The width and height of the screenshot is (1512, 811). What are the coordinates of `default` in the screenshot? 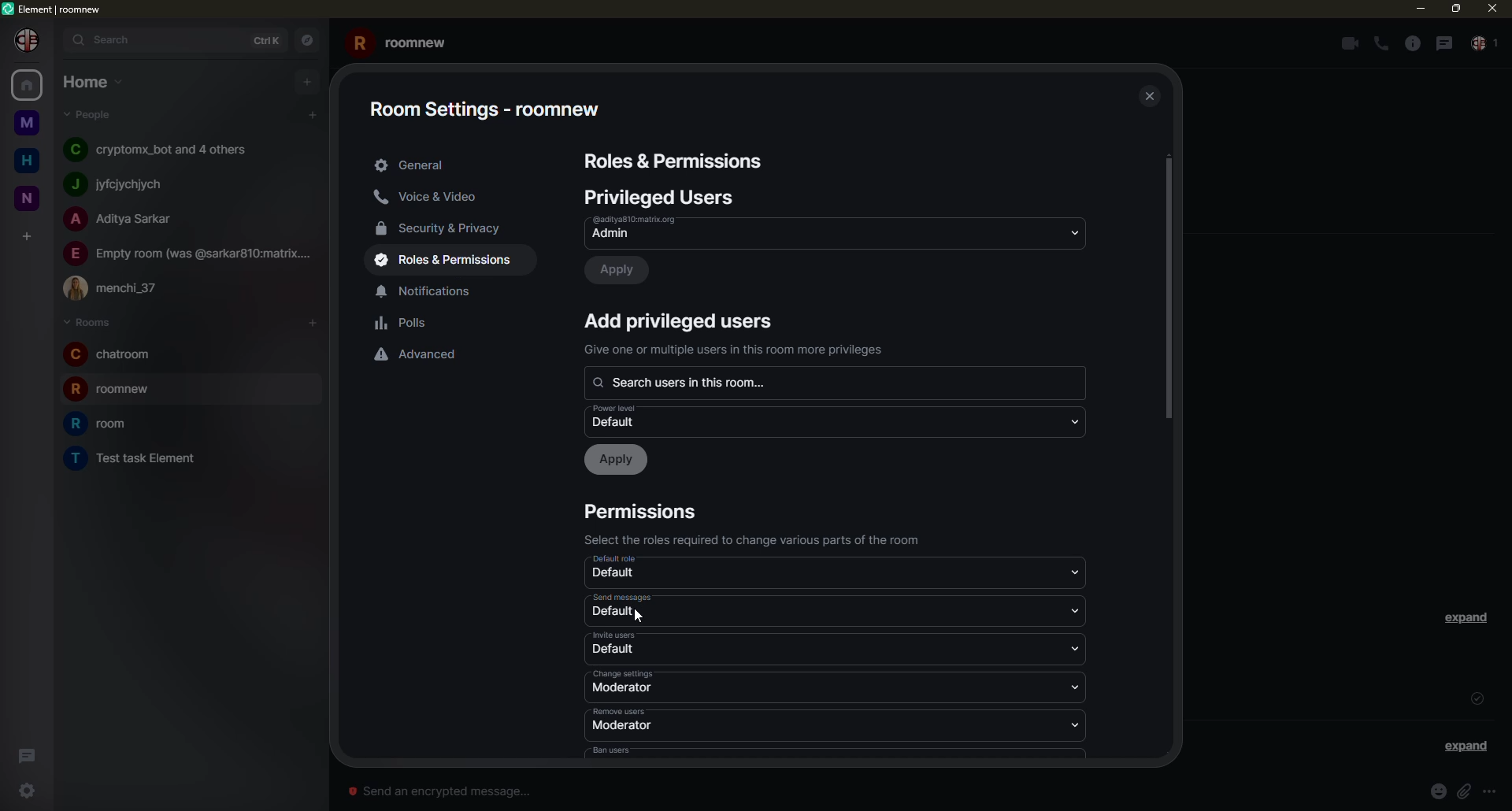 It's located at (616, 650).